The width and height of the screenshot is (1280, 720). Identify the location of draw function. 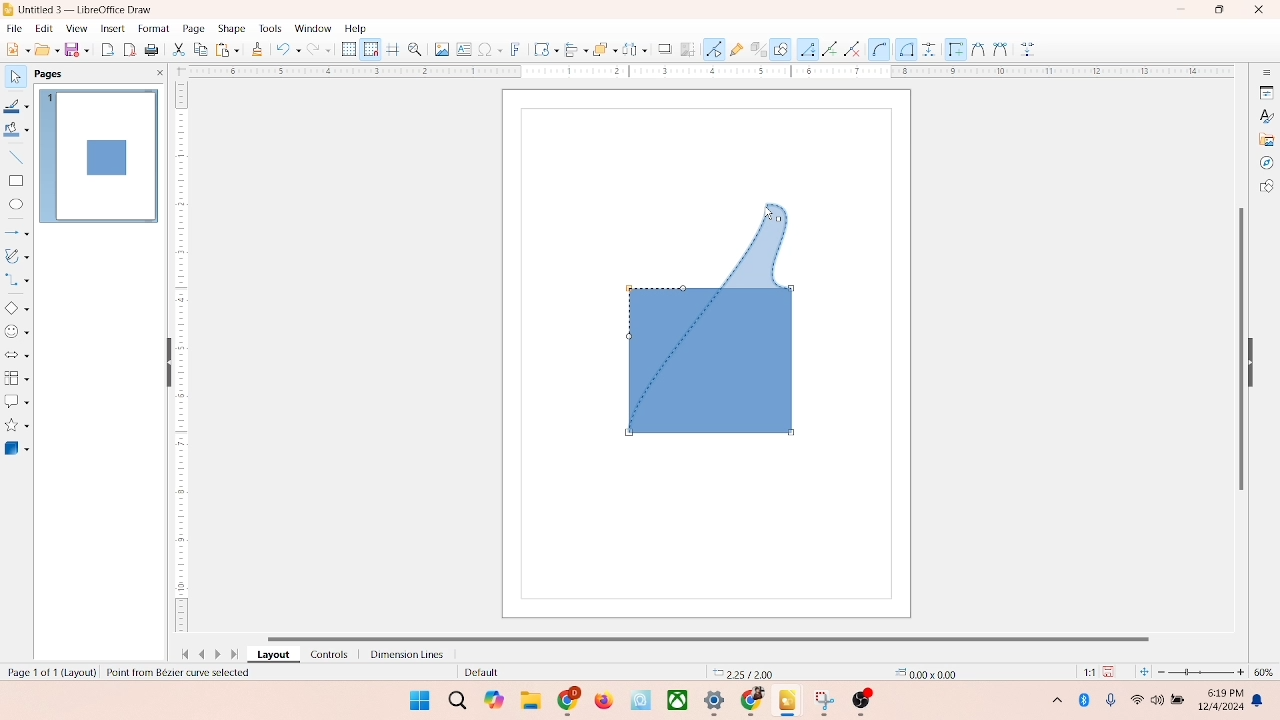
(781, 48).